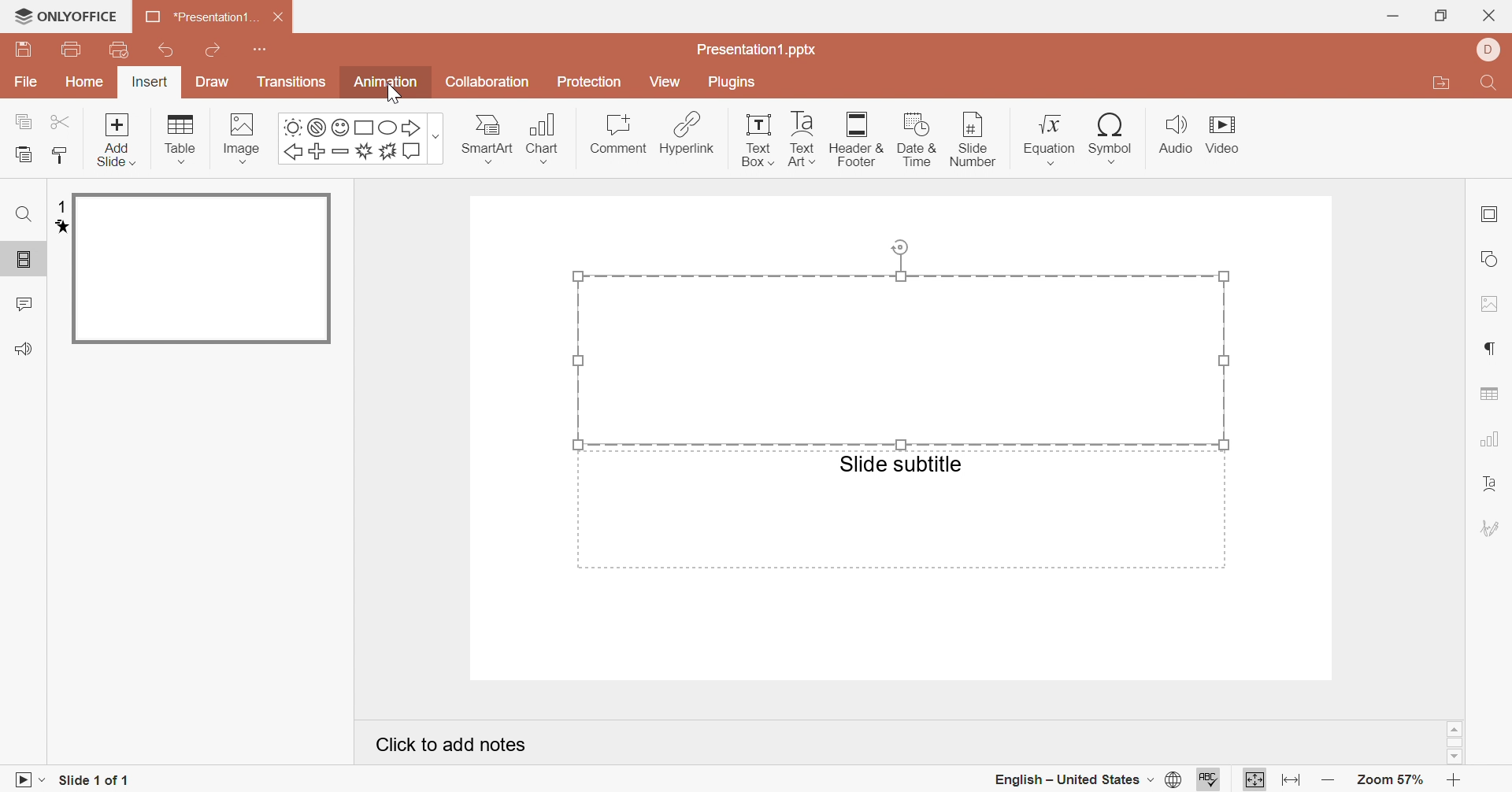  What do you see at coordinates (1492, 486) in the screenshot?
I see `text art settings` at bounding box center [1492, 486].